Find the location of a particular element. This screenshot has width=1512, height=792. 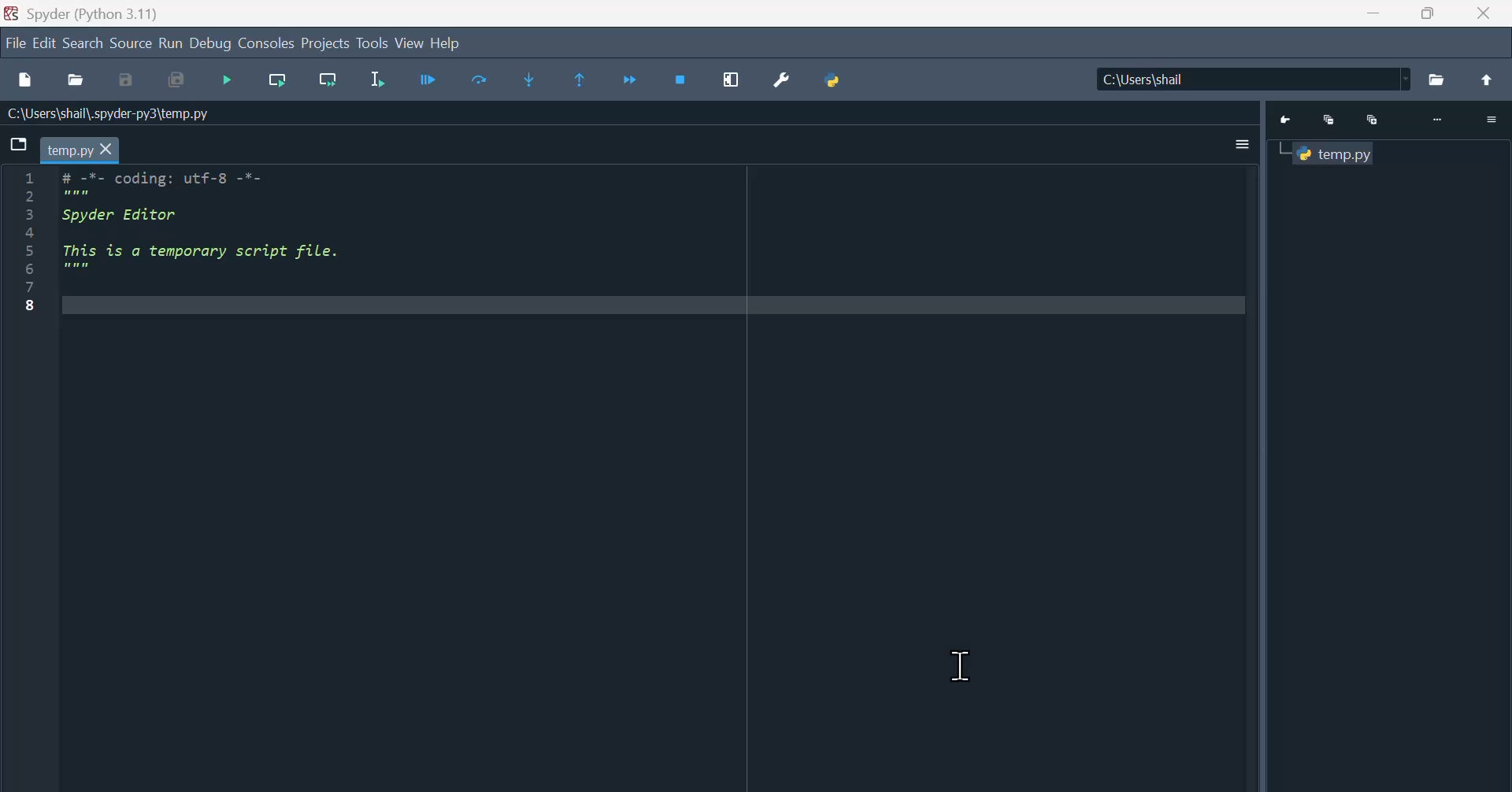

Save all is located at coordinates (176, 80).